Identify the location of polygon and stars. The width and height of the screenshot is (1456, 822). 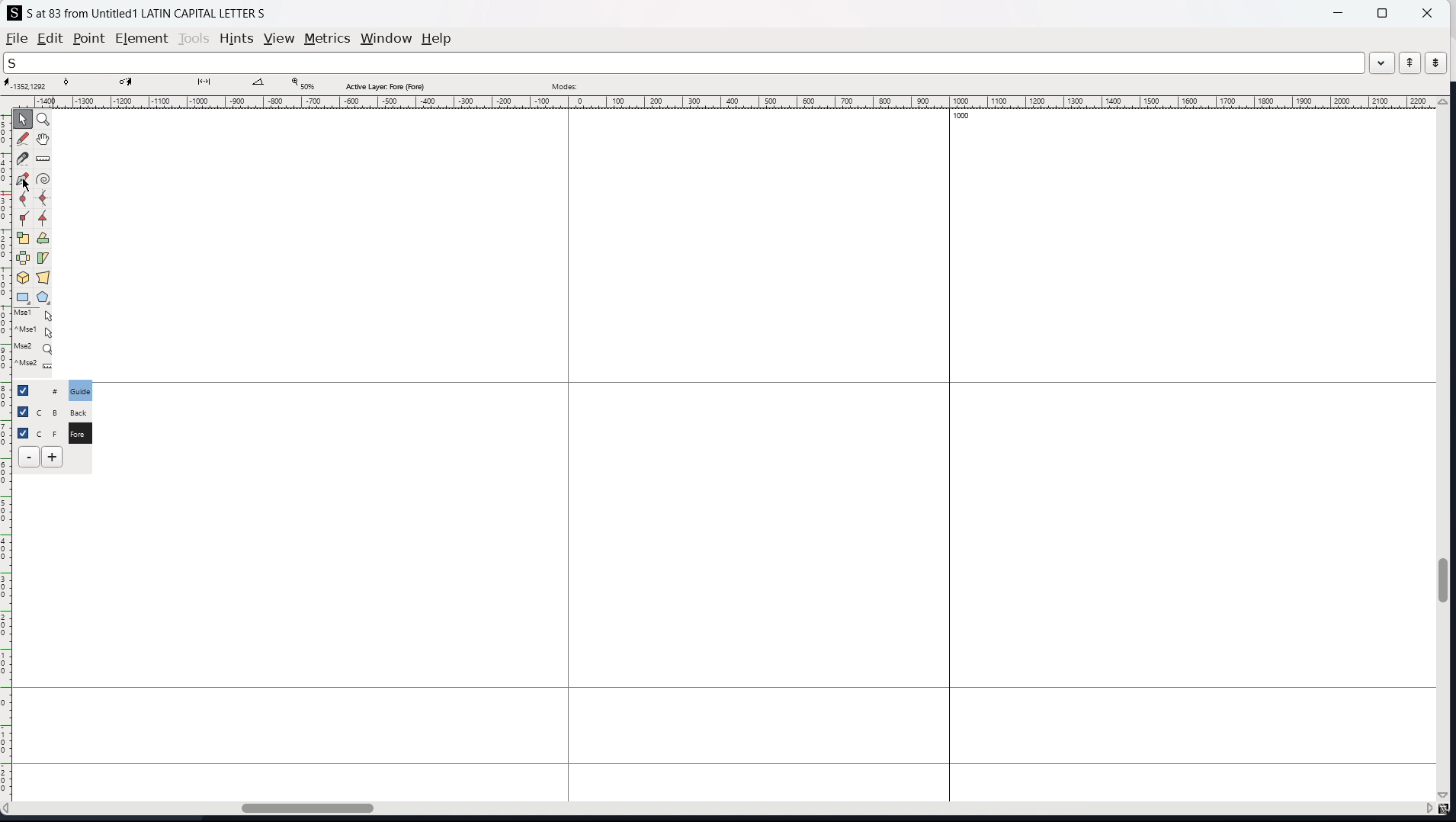
(44, 298).